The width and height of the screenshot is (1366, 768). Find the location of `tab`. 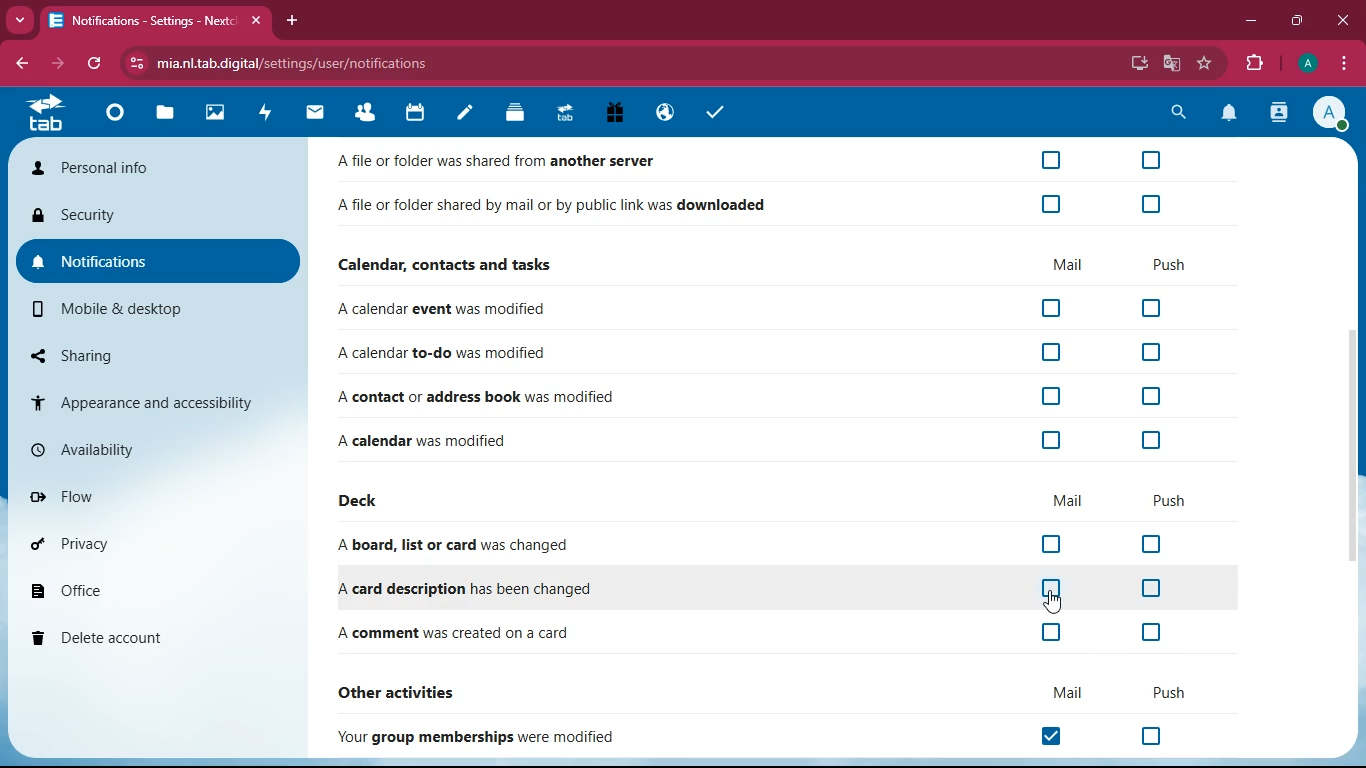

tab is located at coordinates (52, 114).